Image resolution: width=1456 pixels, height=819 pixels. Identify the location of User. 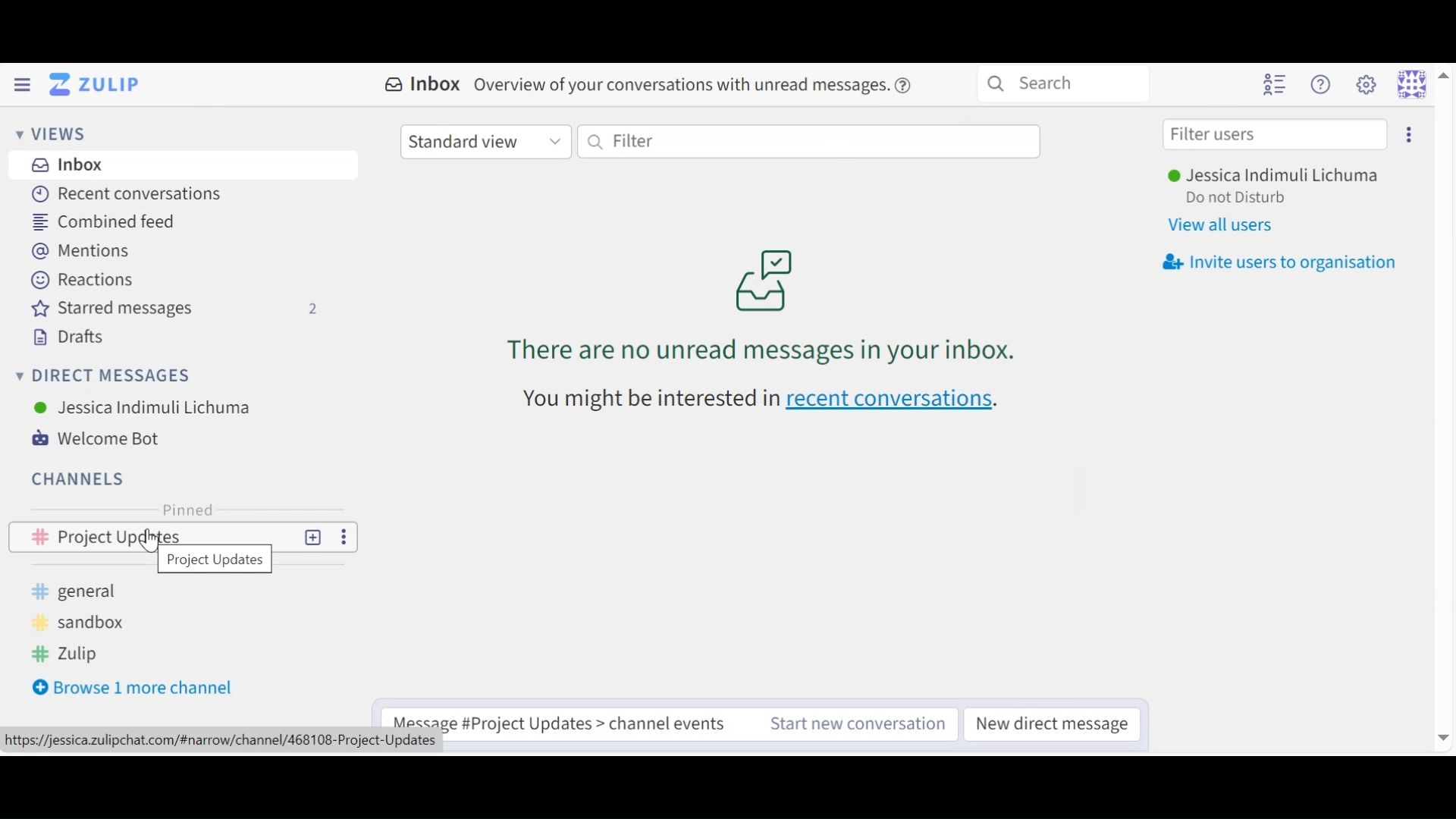
(1272, 176).